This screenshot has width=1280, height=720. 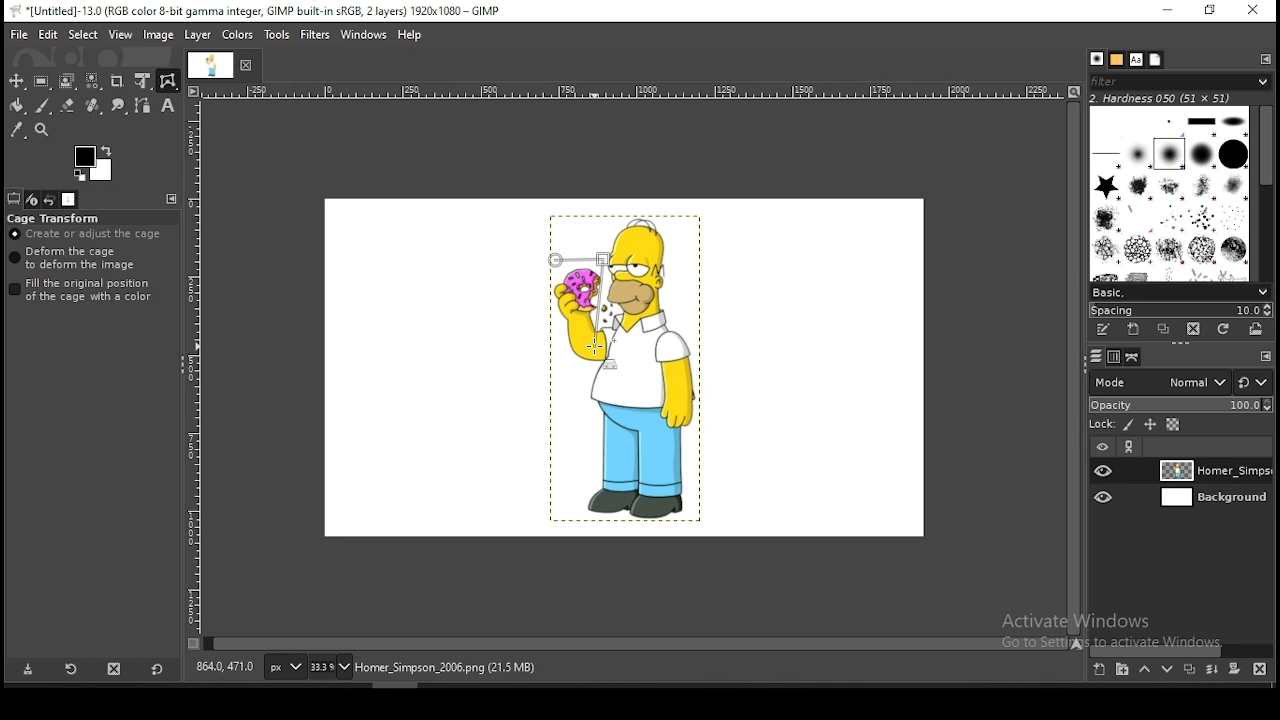 I want to click on select, so click(x=83, y=34).